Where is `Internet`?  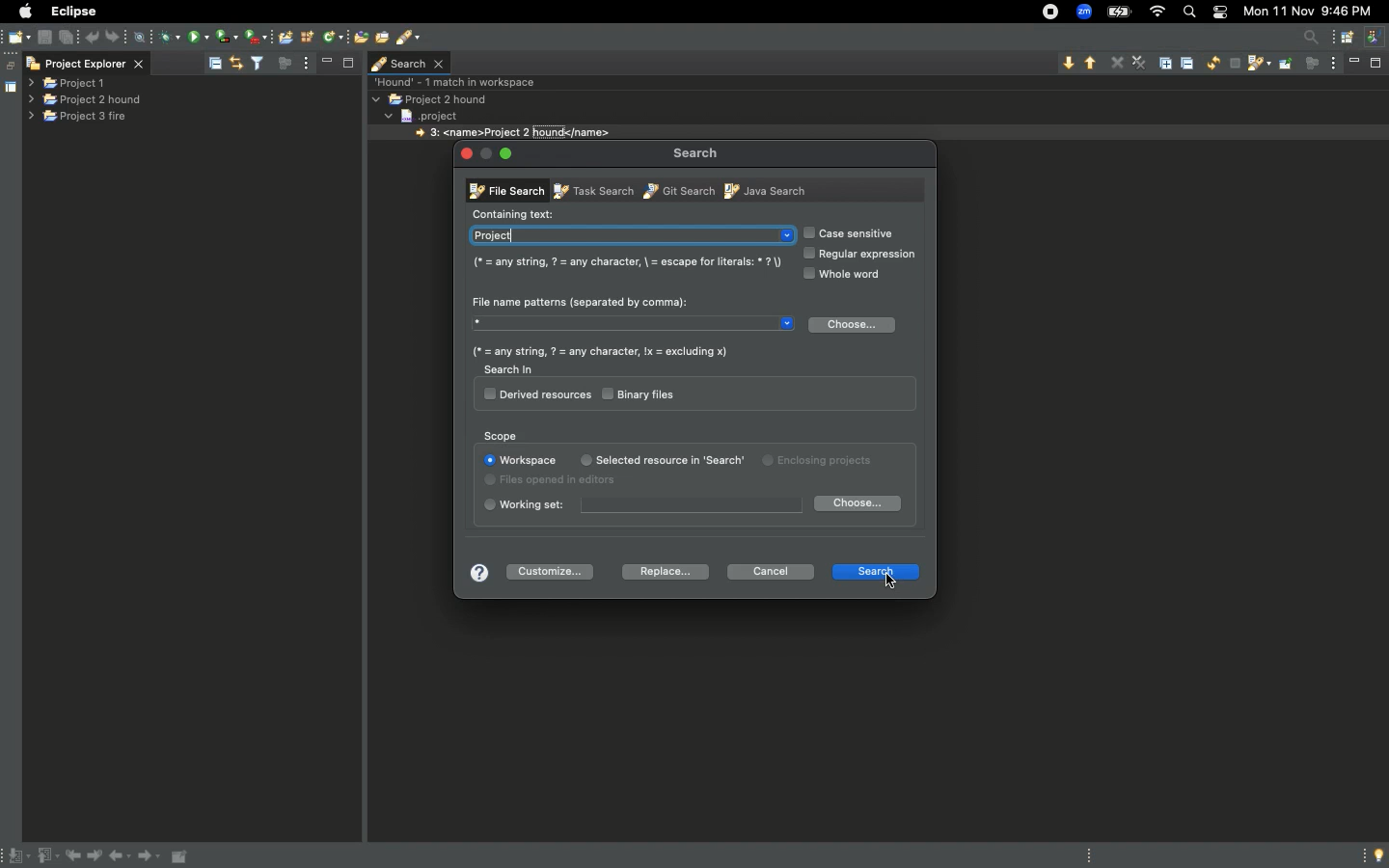 Internet is located at coordinates (1158, 13).